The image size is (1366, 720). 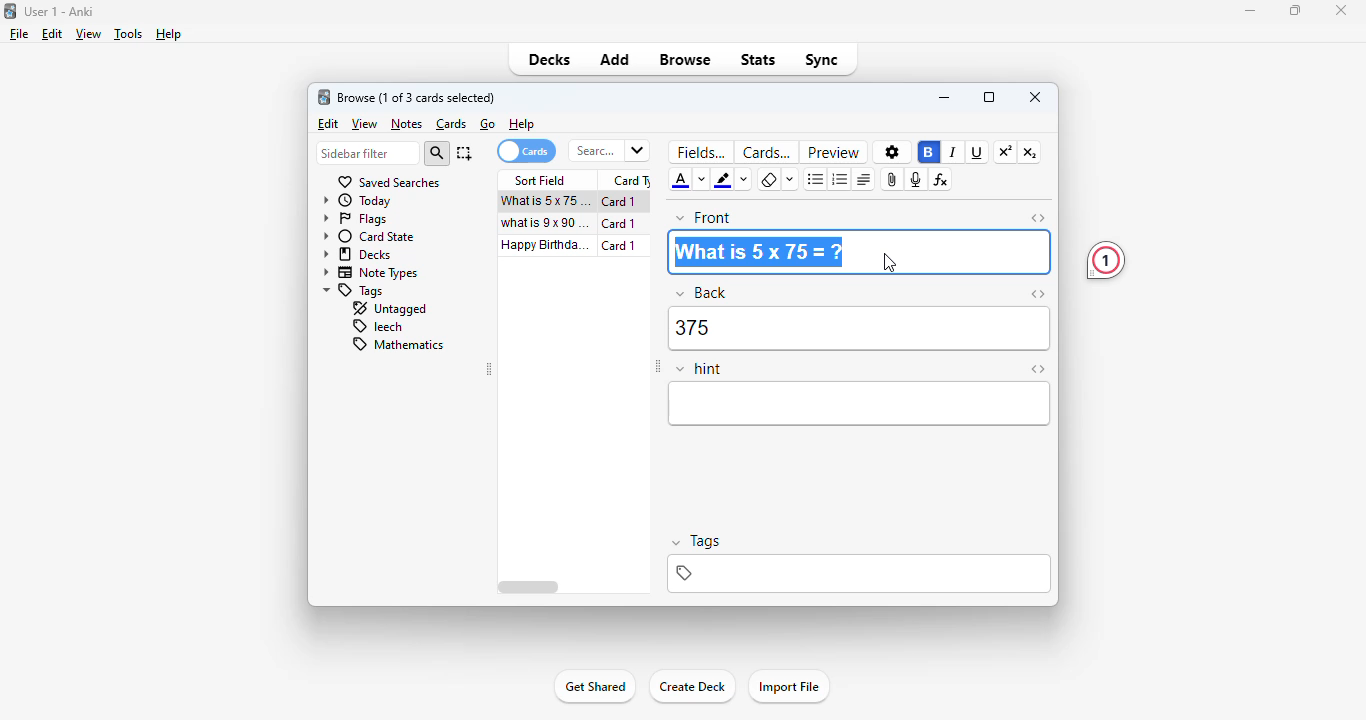 What do you see at coordinates (894, 180) in the screenshot?
I see `attach pictures/audio/video` at bounding box center [894, 180].